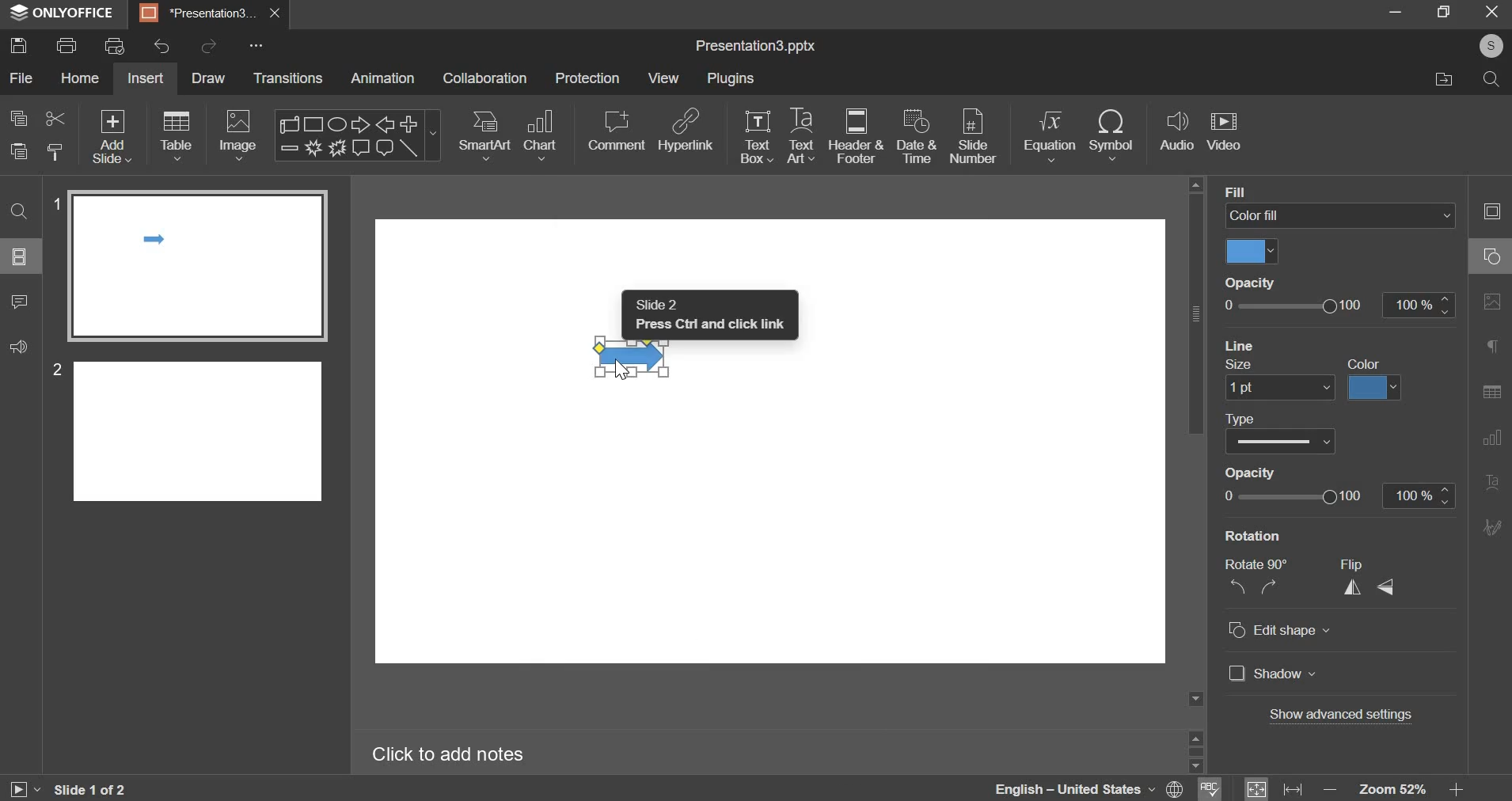 The width and height of the screenshot is (1512, 801). I want to click on copy, so click(19, 118).